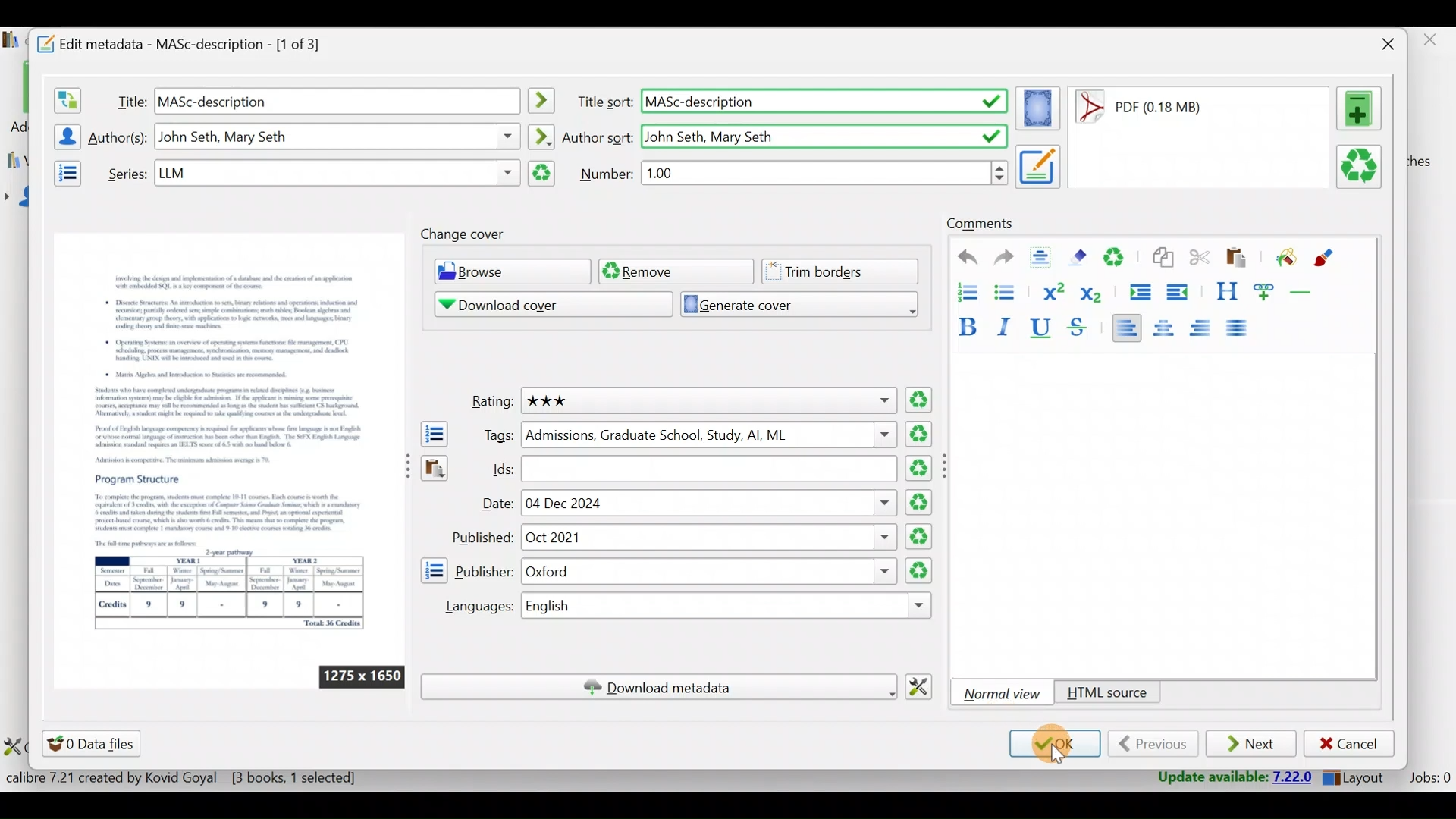 The image size is (1456, 819). I want to click on Title, so click(128, 99).